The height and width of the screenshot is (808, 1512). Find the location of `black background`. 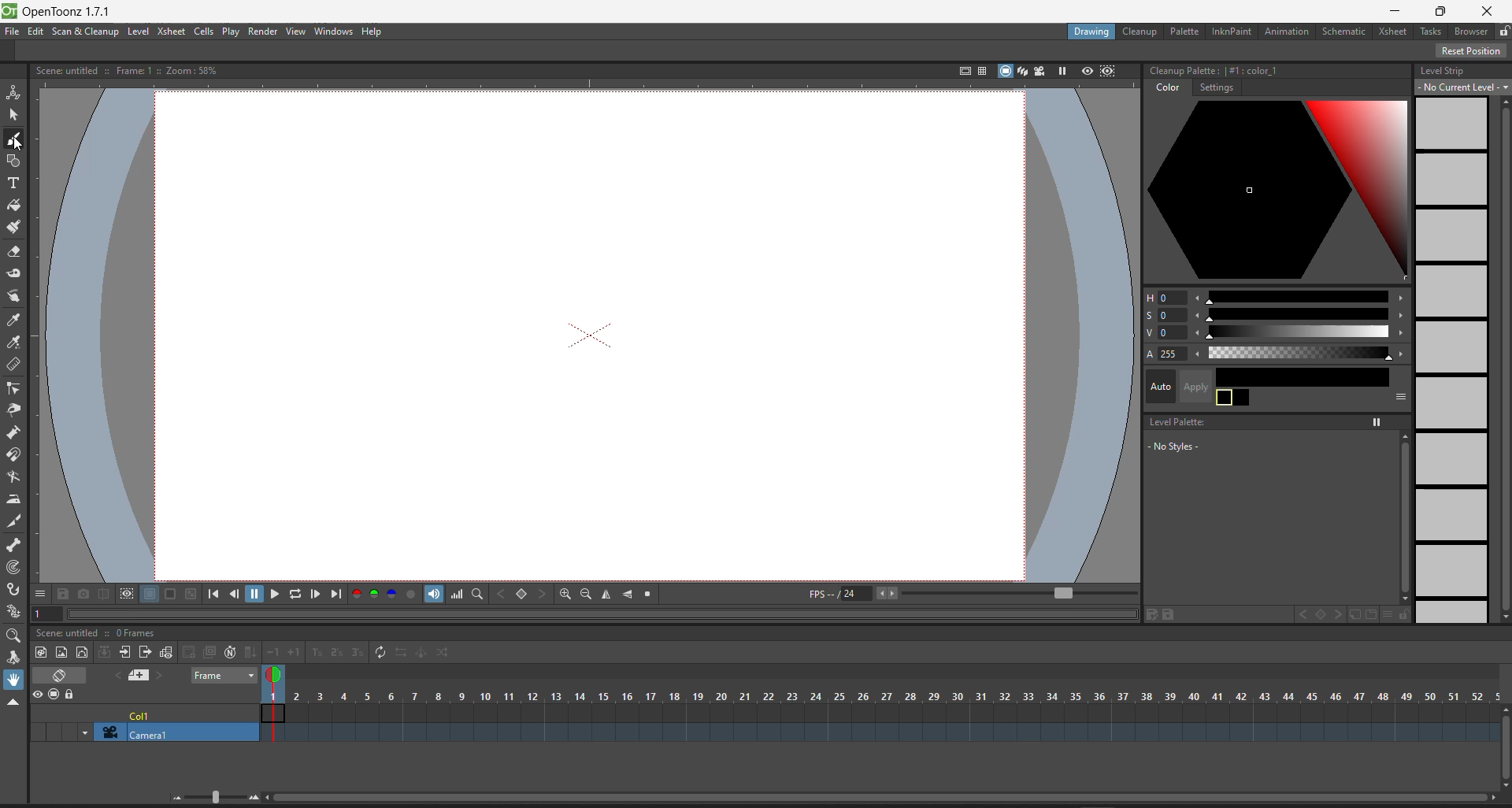

black background is located at coordinates (170, 594).